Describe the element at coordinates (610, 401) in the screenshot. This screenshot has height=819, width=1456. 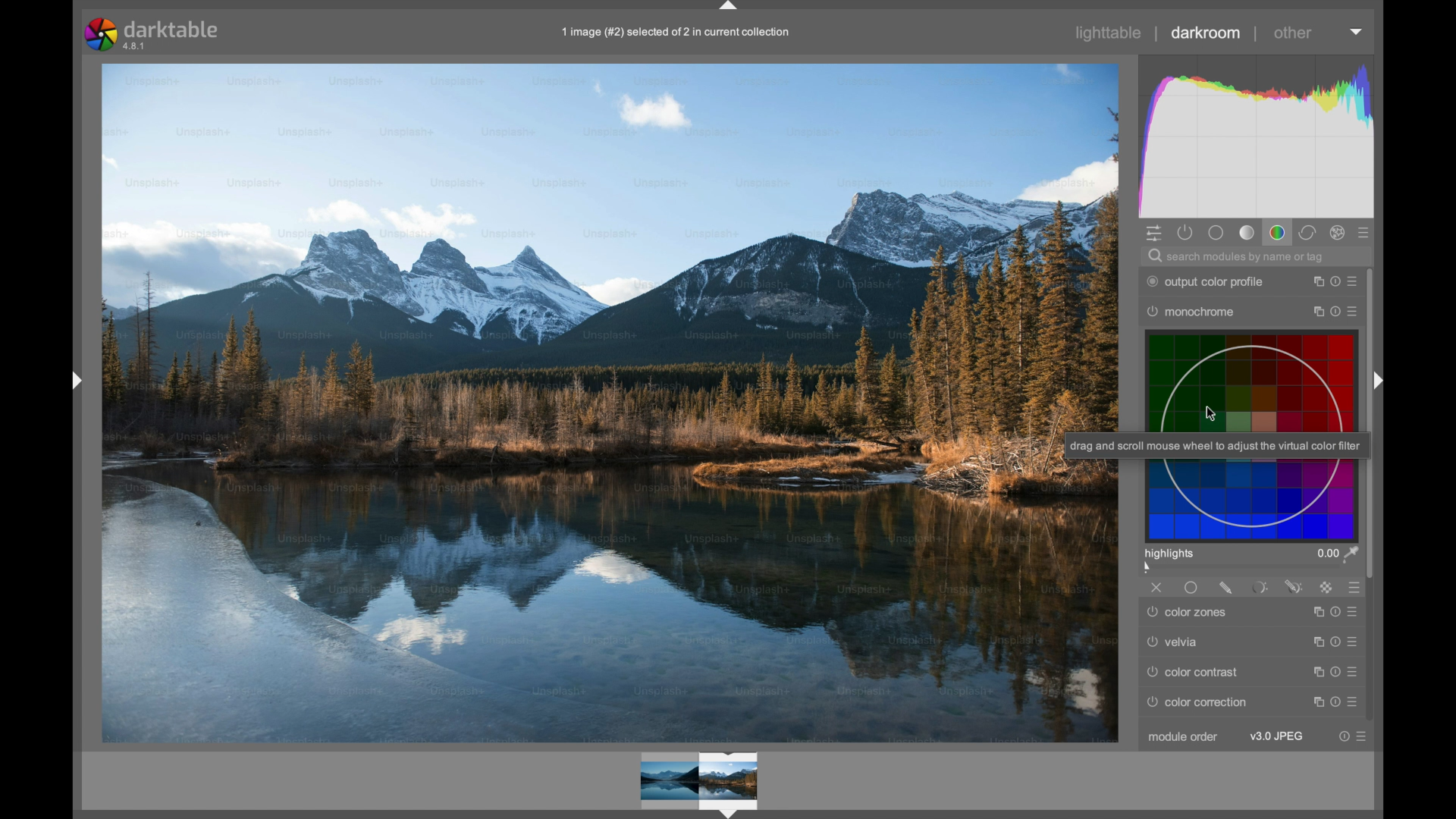
I see `photo` at that location.